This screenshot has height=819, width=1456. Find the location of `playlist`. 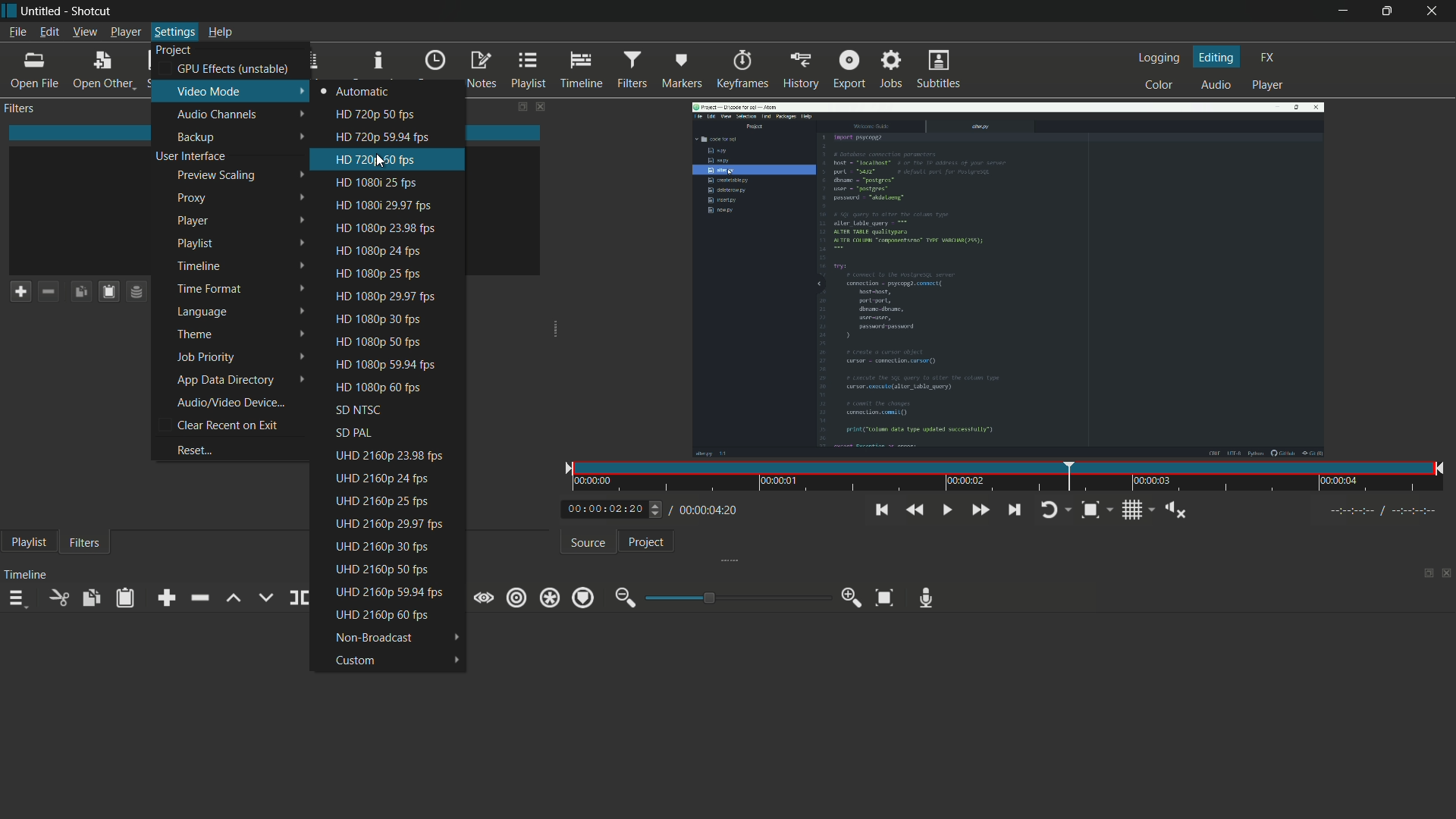

playlist is located at coordinates (240, 246).